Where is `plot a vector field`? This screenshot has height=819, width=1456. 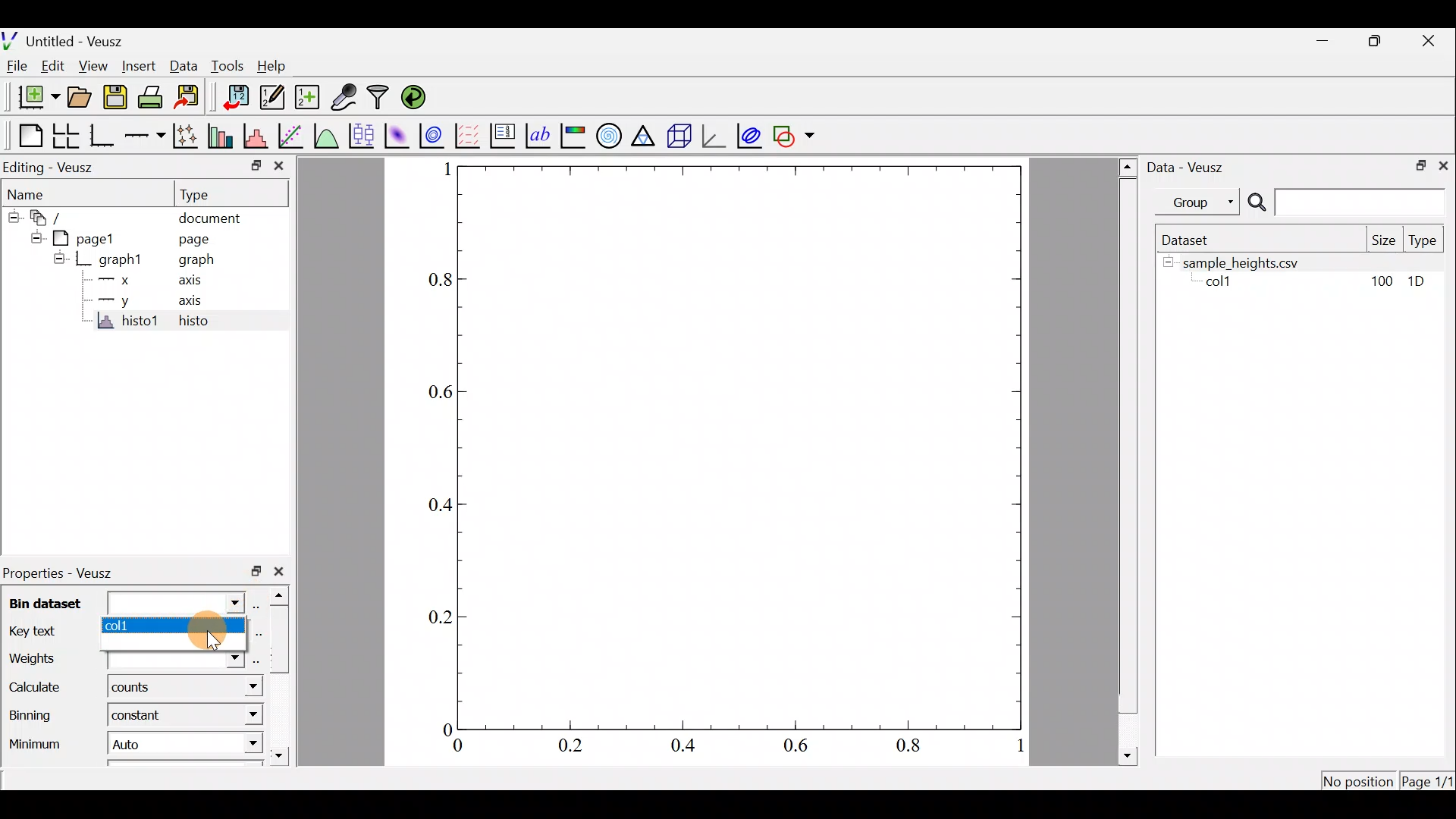 plot a vector field is located at coordinates (469, 136).